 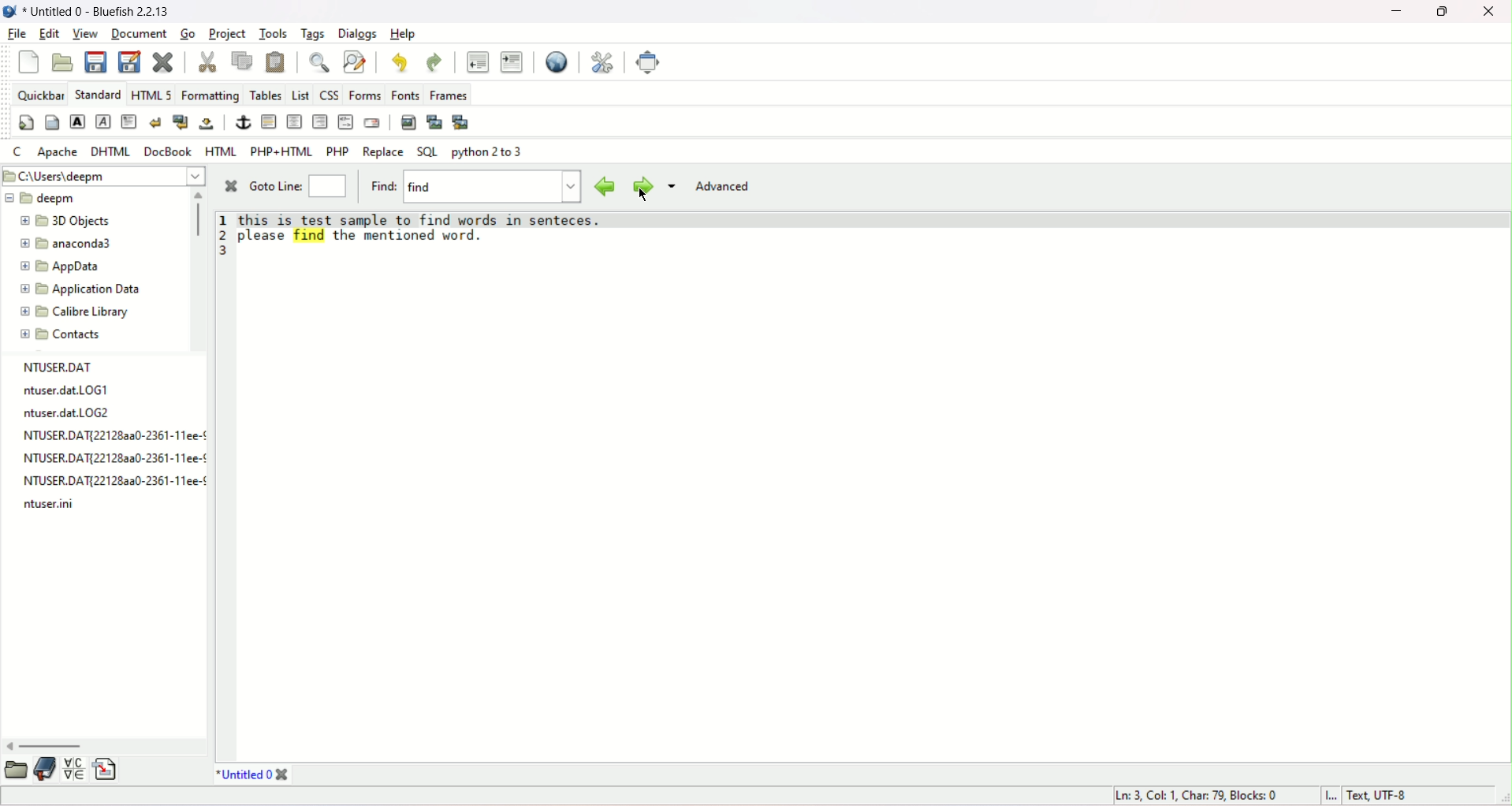 I want to click on documentation, so click(x=44, y=769).